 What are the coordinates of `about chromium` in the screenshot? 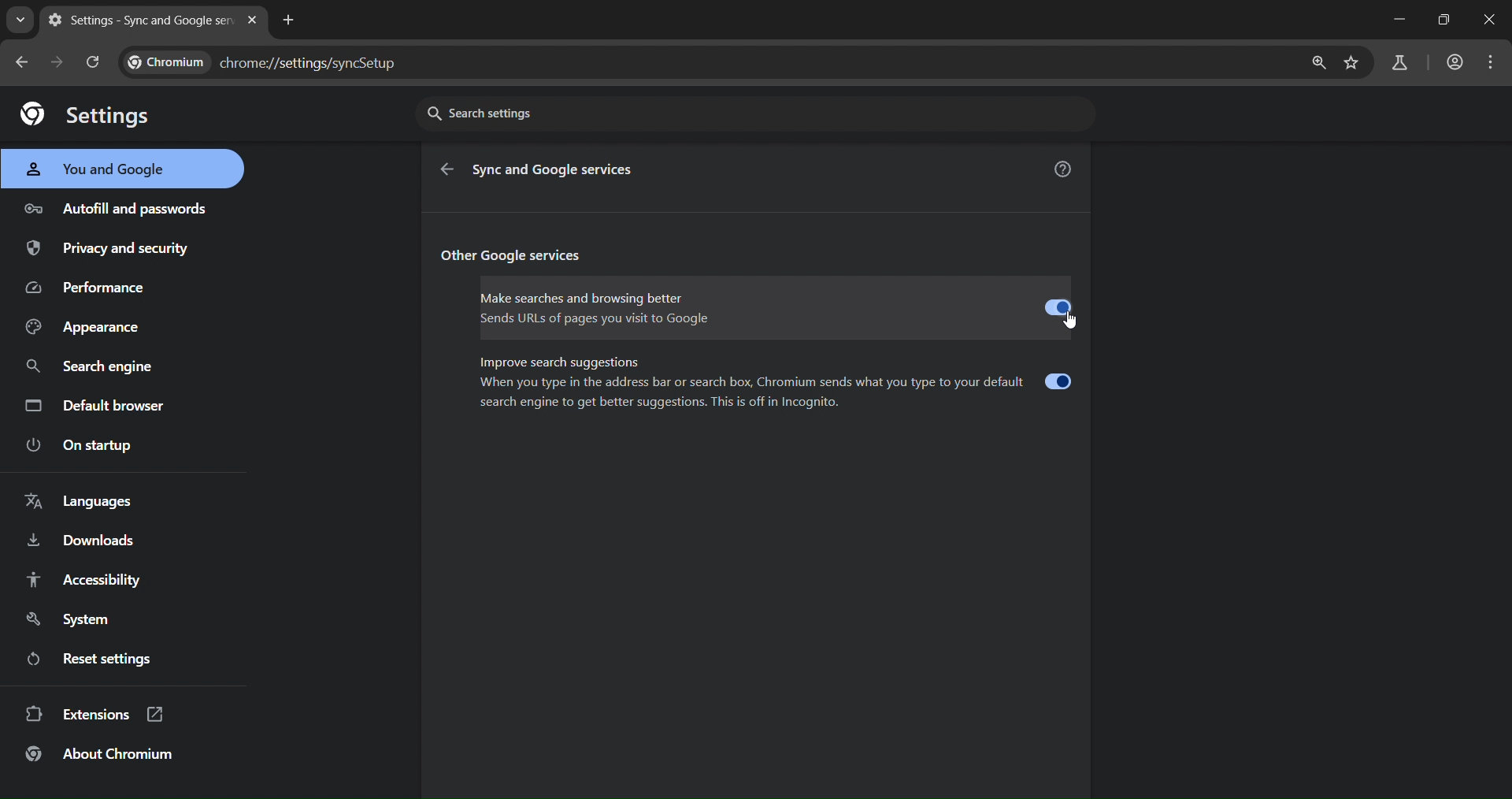 It's located at (109, 753).